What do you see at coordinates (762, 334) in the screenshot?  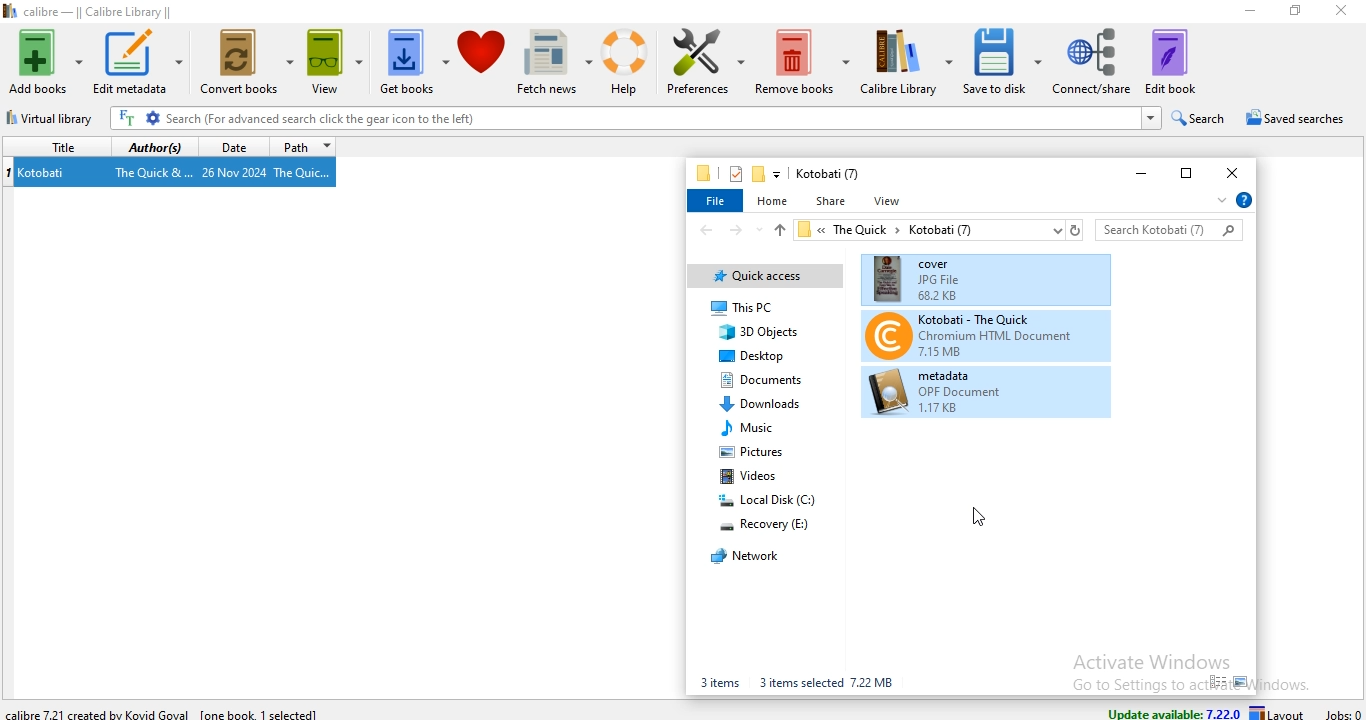 I see `3D Objects` at bounding box center [762, 334].